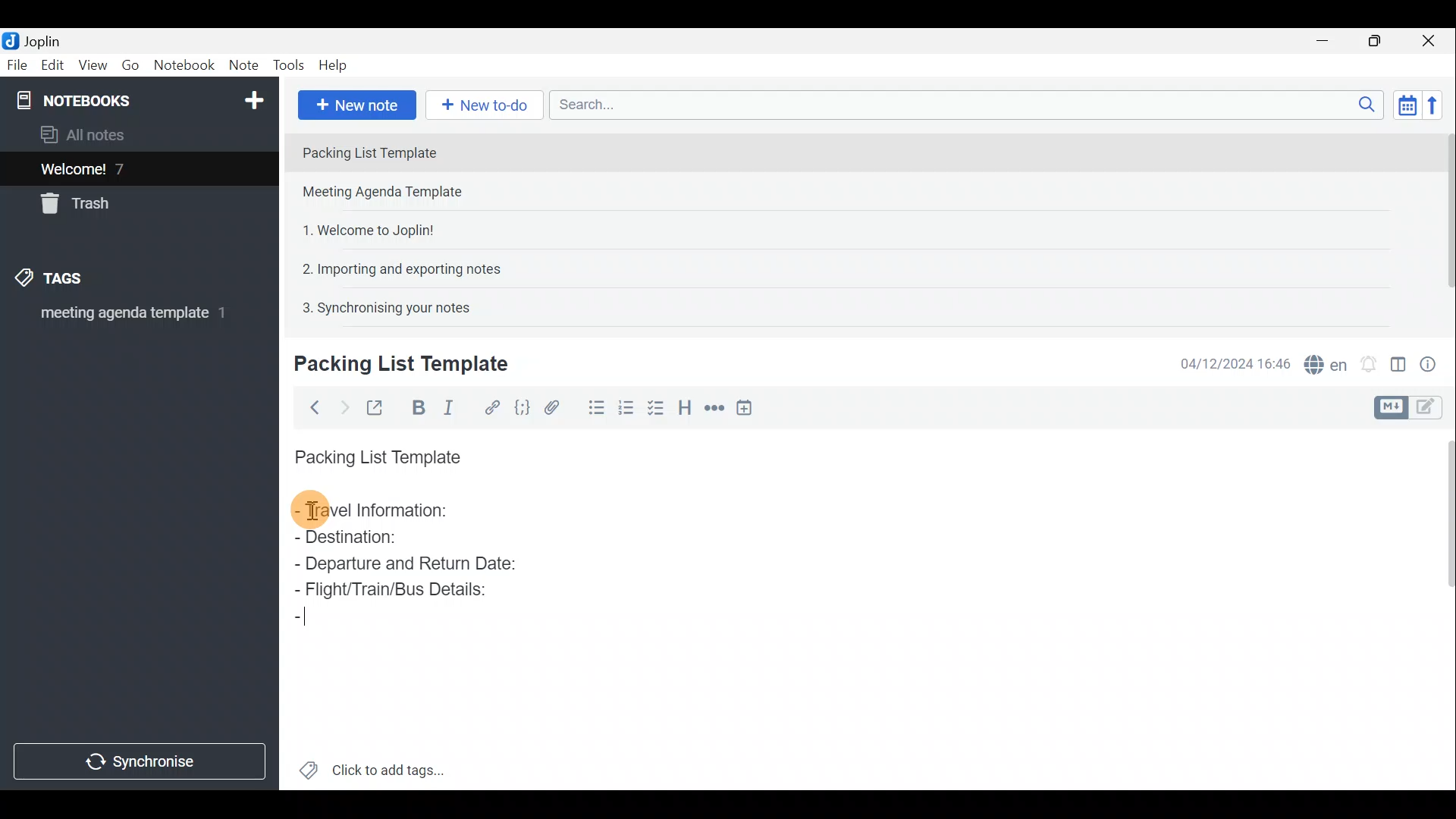 Image resolution: width=1456 pixels, height=819 pixels. Describe the element at coordinates (74, 281) in the screenshot. I see `Tags` at that location.